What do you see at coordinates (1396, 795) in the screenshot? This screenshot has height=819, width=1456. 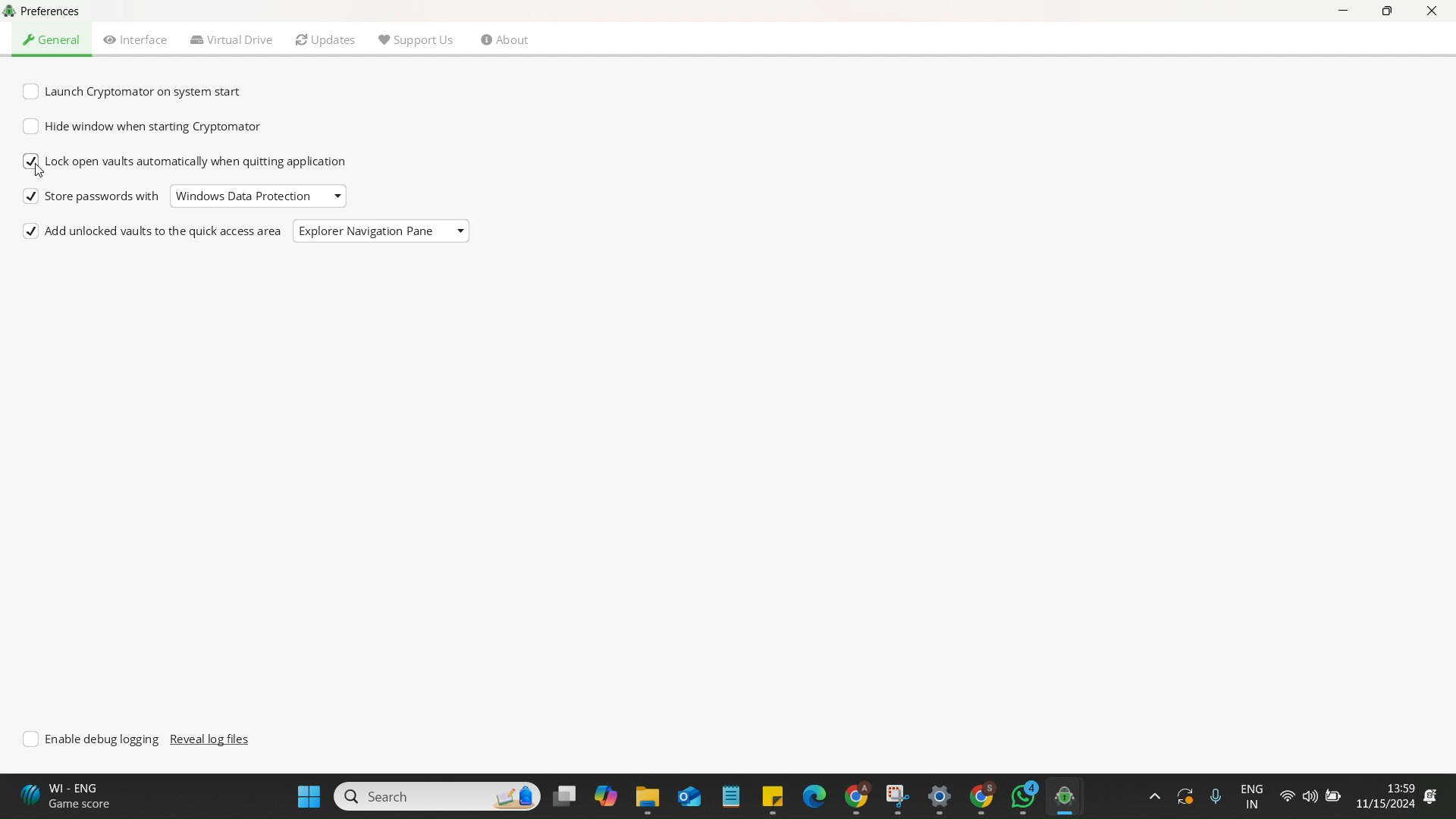 I see `Date and Time` at bounding box center [1396, 795].